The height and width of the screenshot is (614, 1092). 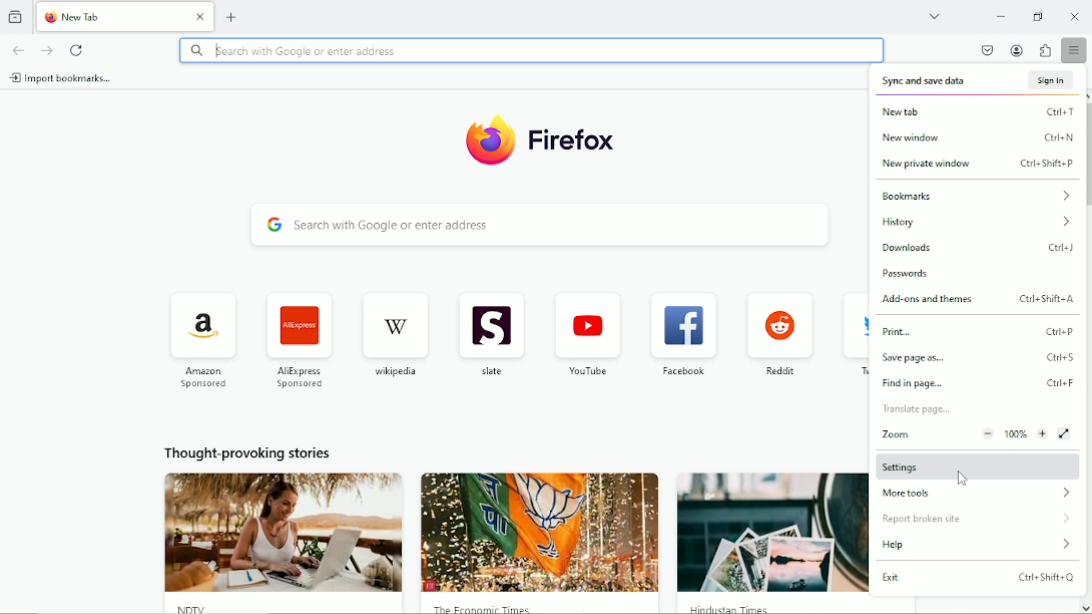 What do you see at coordinates (773, 605) in the screenshot?
I see `Hindustan Times` at bounding box center [773, 605].